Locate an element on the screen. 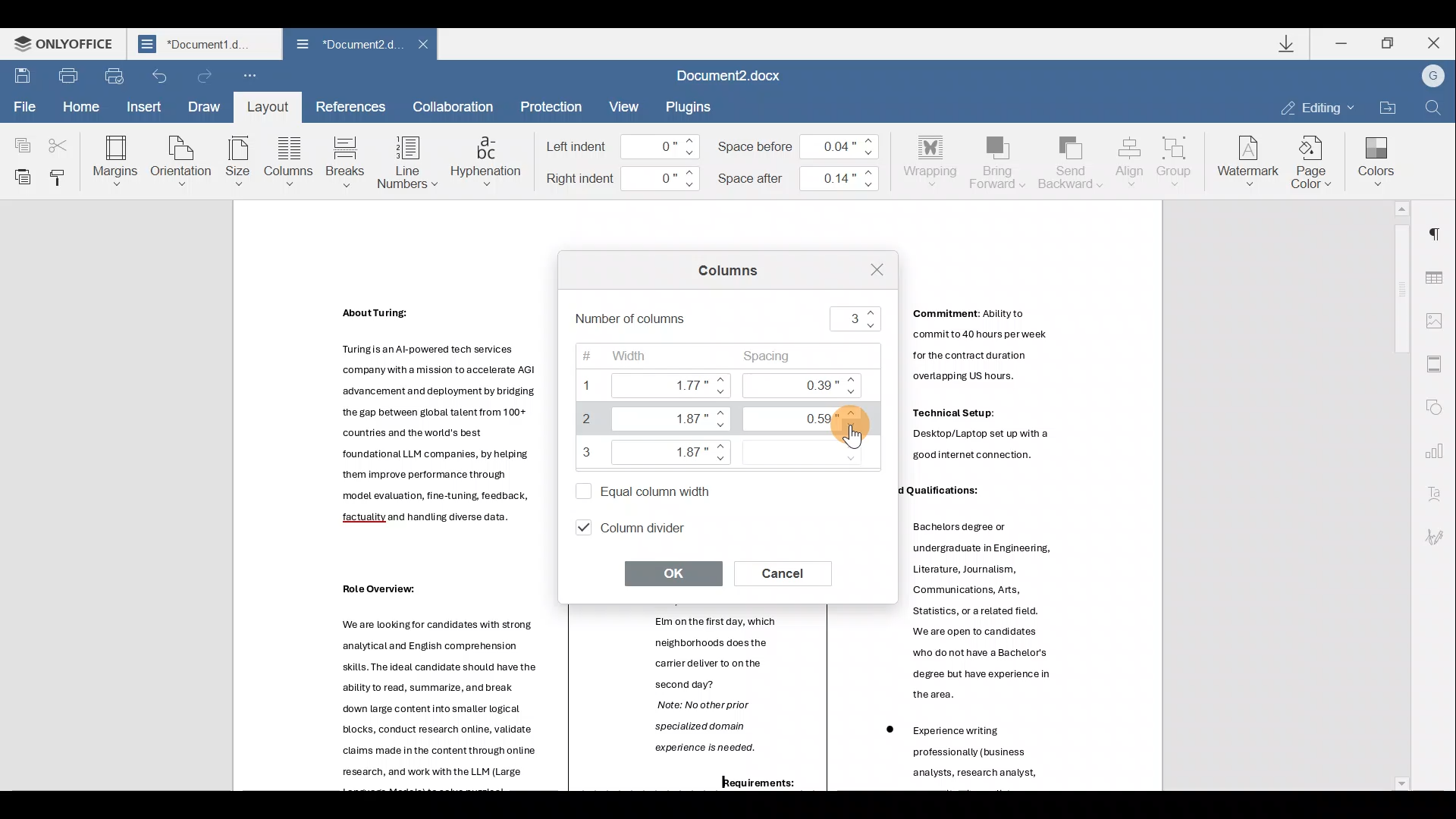 The width and height of the screenshot is (1456, 819). Space after is located at coordinates (801, 175).